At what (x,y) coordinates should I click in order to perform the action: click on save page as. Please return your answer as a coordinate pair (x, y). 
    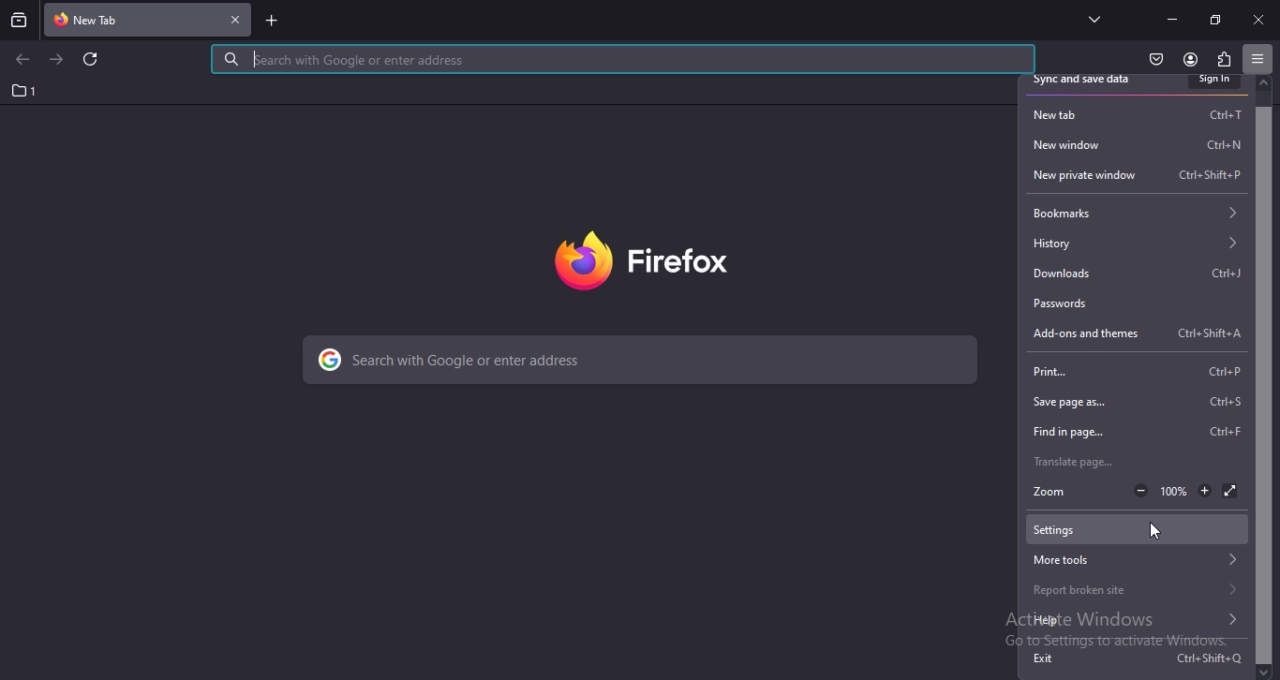
    Looking at the image, I should click on (1134, 399).